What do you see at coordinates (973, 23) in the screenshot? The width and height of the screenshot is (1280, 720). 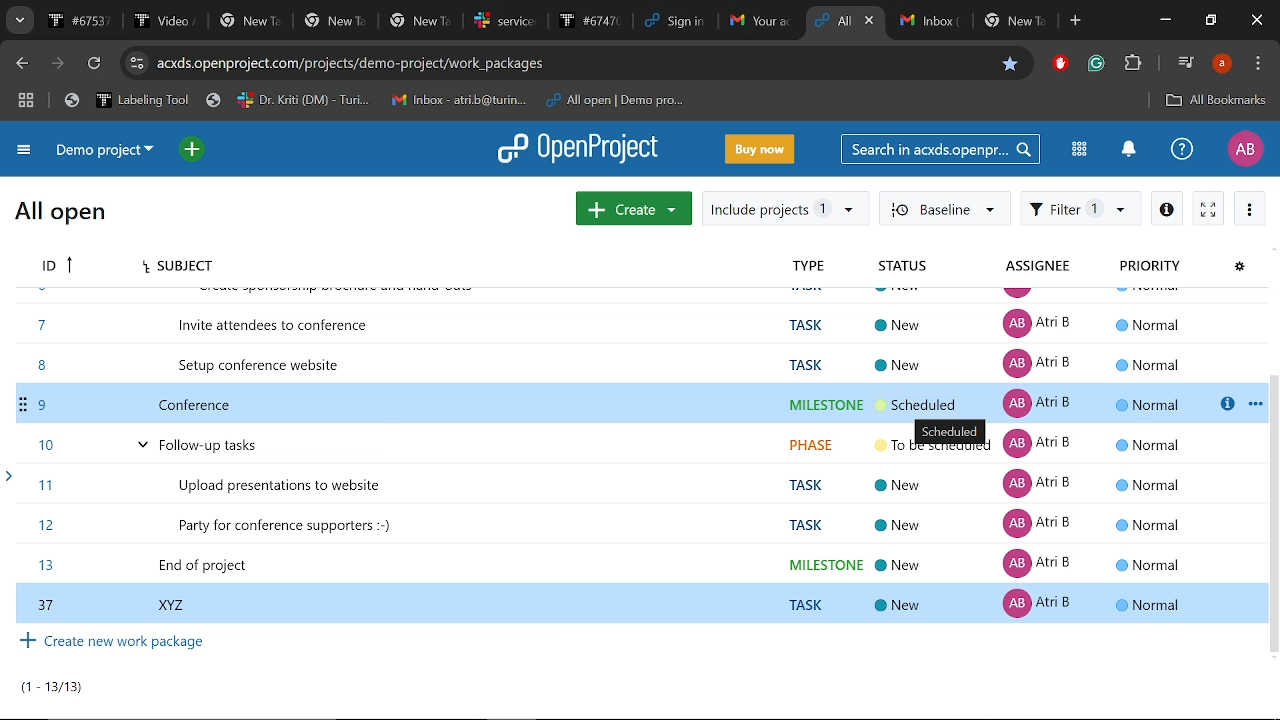 I see `Others tabs` at bounding box center [973, 23].